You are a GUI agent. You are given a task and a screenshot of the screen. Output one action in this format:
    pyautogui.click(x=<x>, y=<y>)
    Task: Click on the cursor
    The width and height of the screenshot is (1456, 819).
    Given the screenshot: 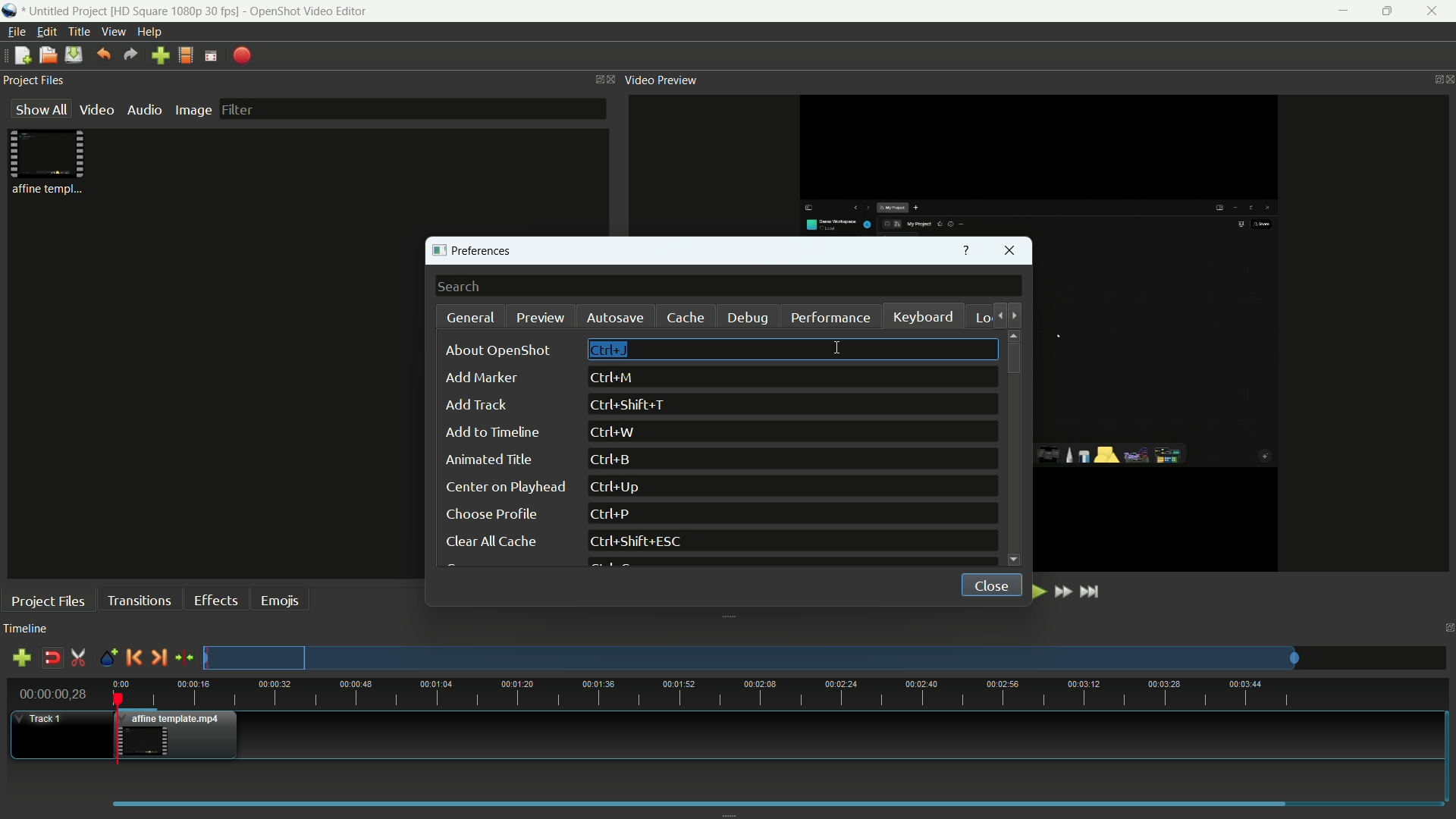 What is the action you would take?
    pyautogui.click(x=839, y=348)
    